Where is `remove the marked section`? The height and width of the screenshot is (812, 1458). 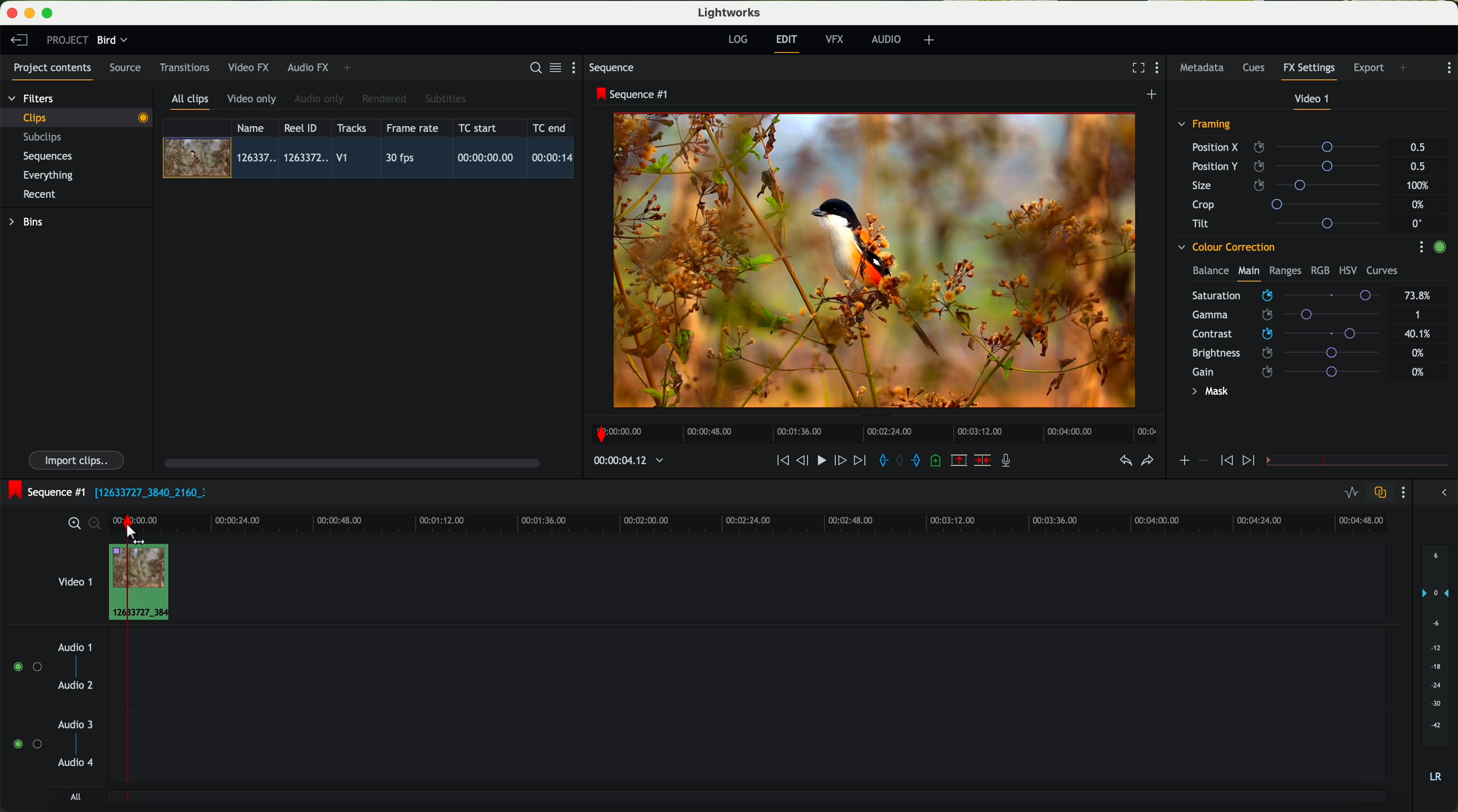
remove the marked section is located at coordinates (960, 461).